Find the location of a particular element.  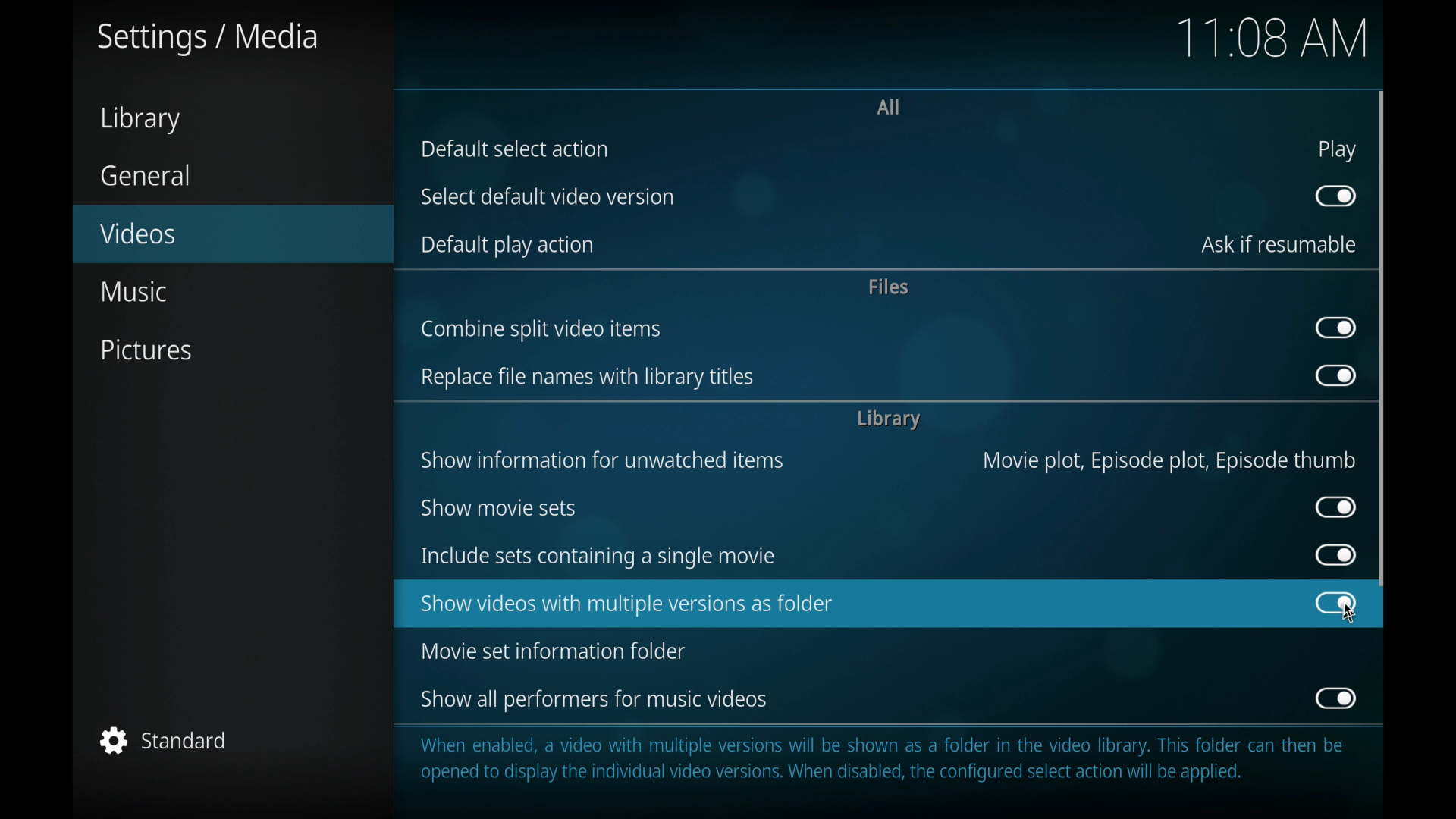

all is located at coordinates (890, 106).